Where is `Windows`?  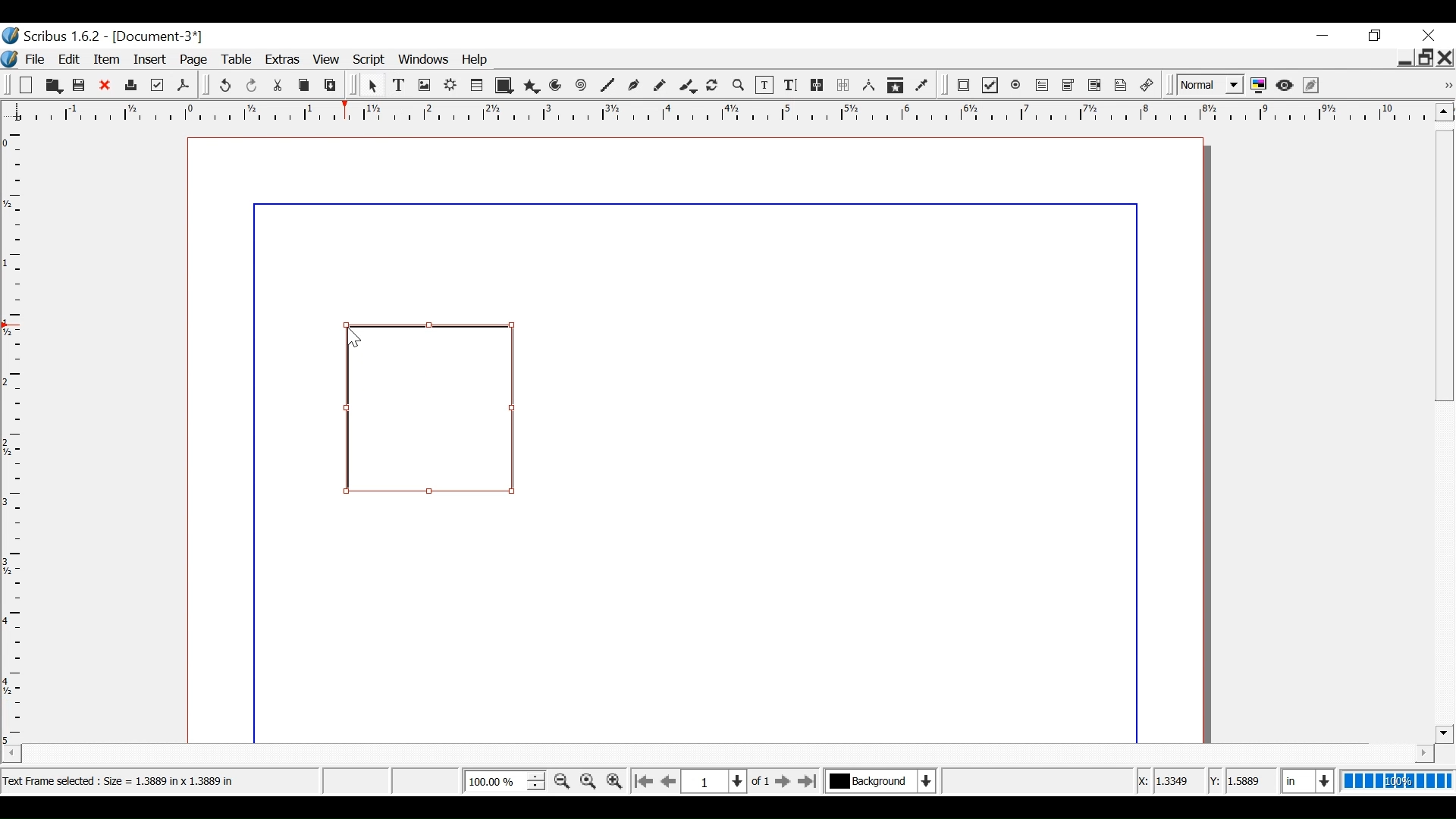
Windows is located at coordinates (425, 59).